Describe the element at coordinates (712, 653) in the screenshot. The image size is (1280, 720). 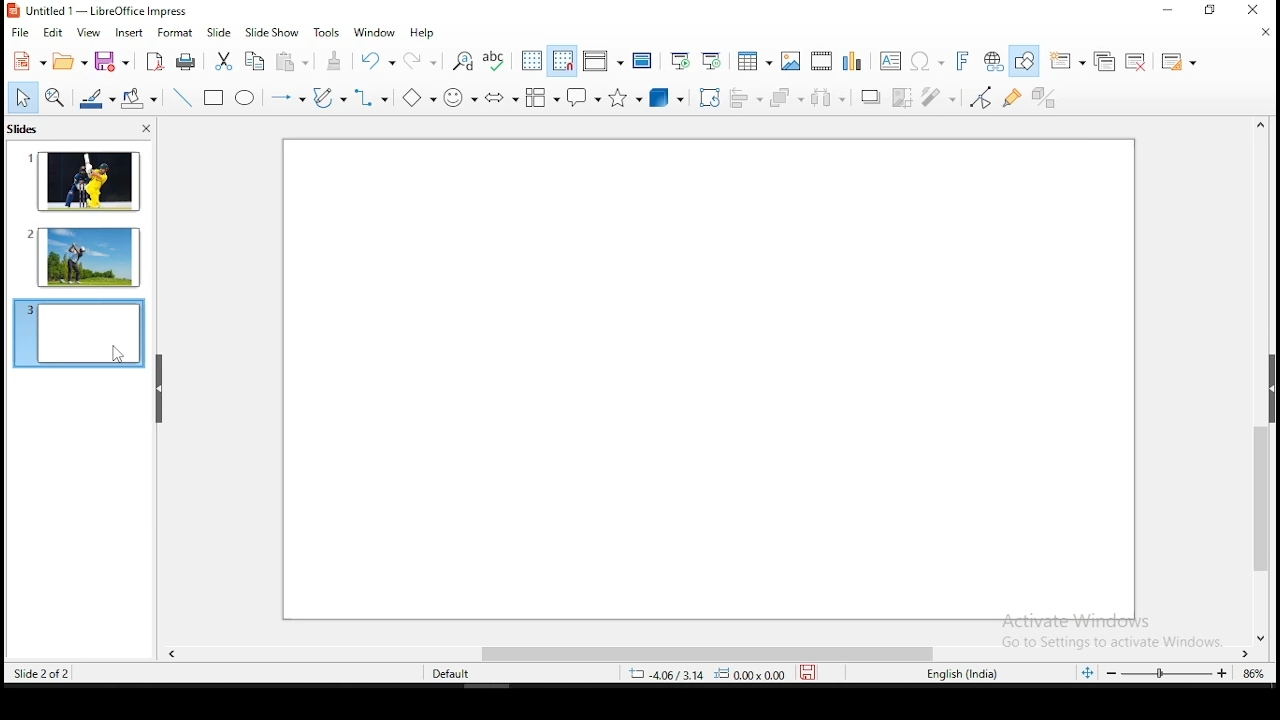
I see `scroll bar` at that location.